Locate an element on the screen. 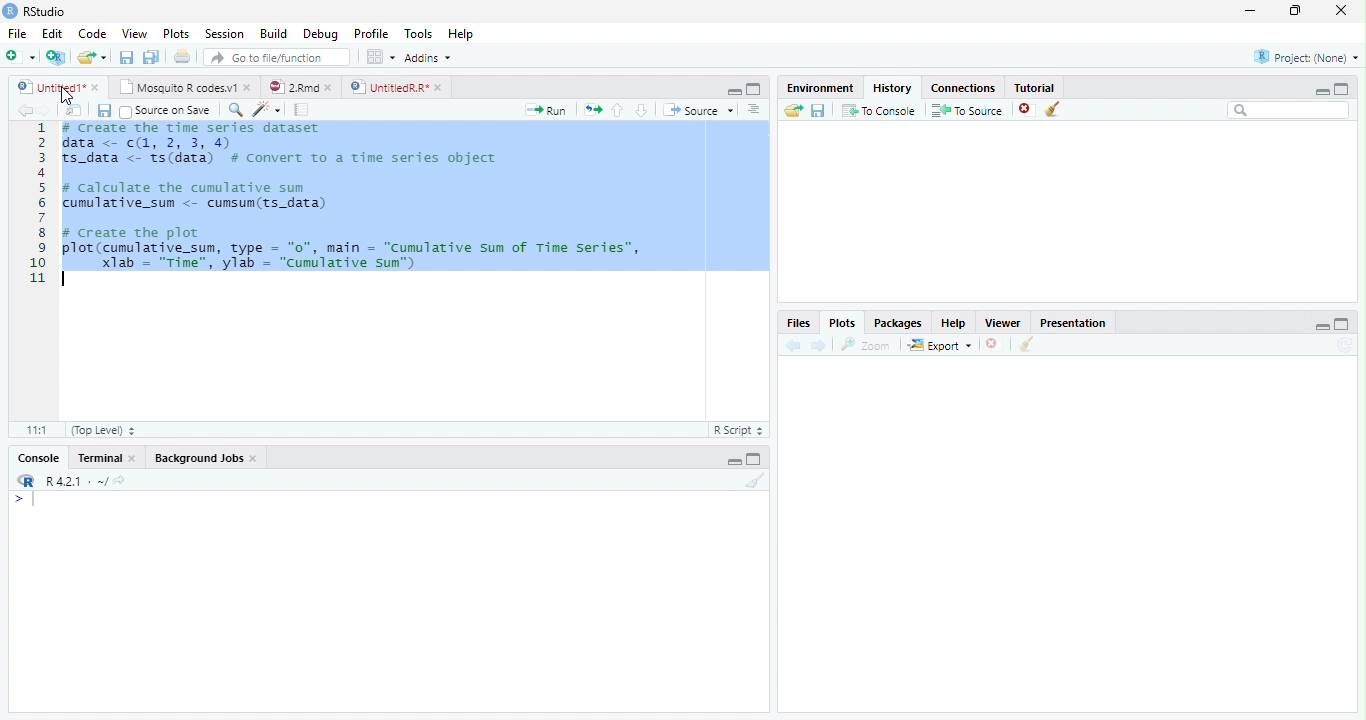  Terminal is located at coordinates (106, 458).